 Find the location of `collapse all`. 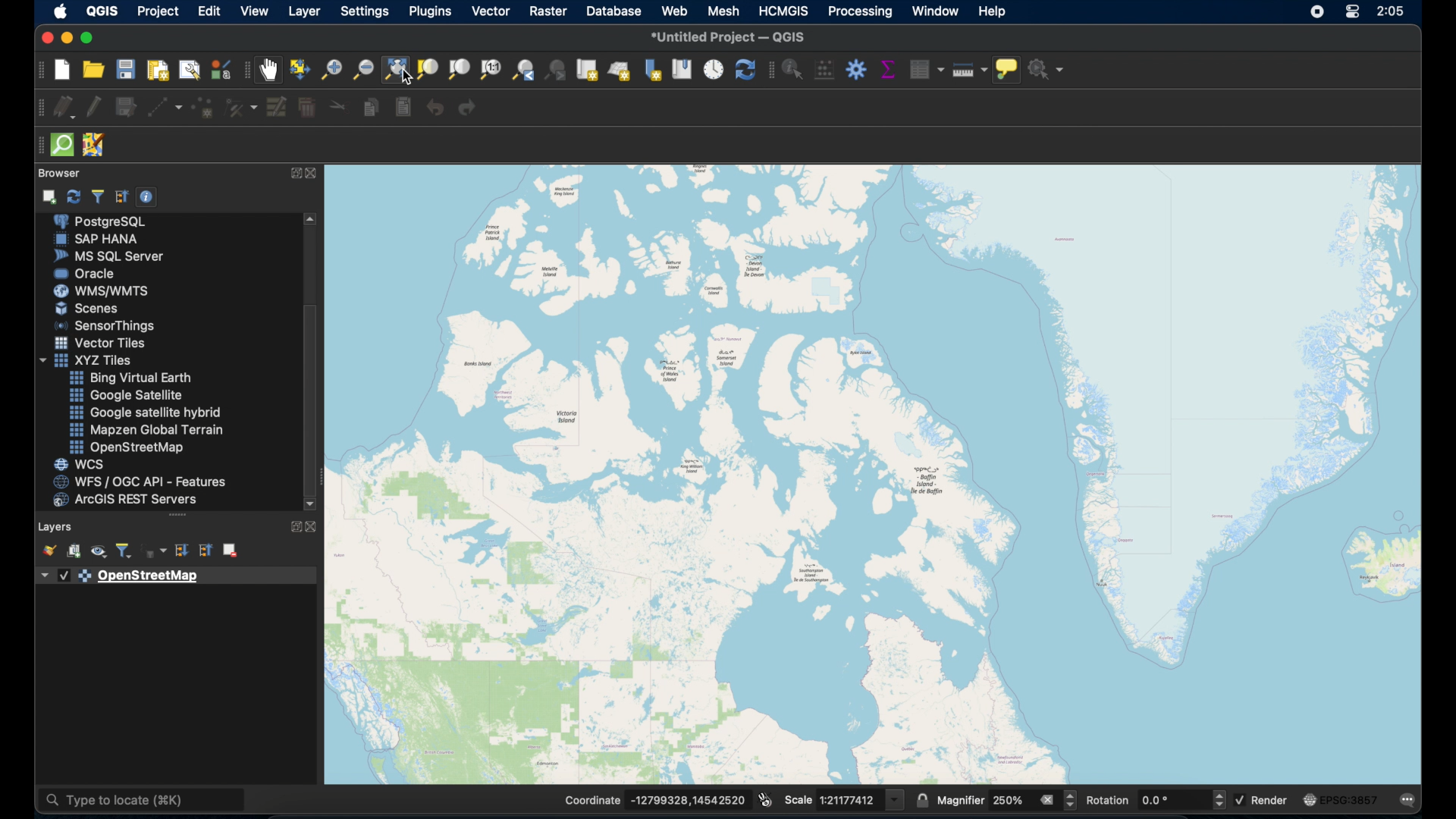

collapse all is located at coordinates (206, 550).